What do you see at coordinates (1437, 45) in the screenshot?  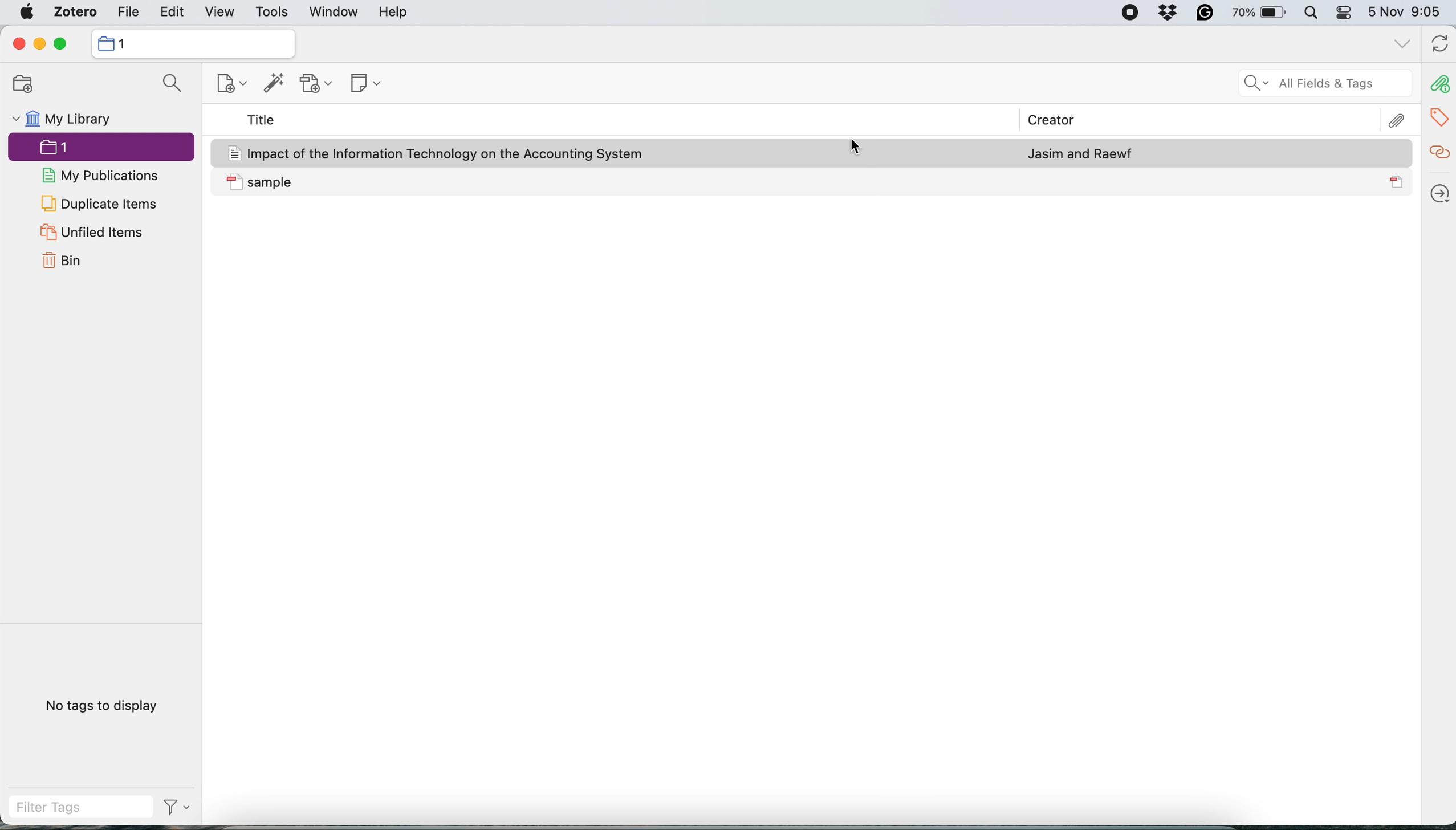 I see `refresh` at bounding box center [1437, 45].